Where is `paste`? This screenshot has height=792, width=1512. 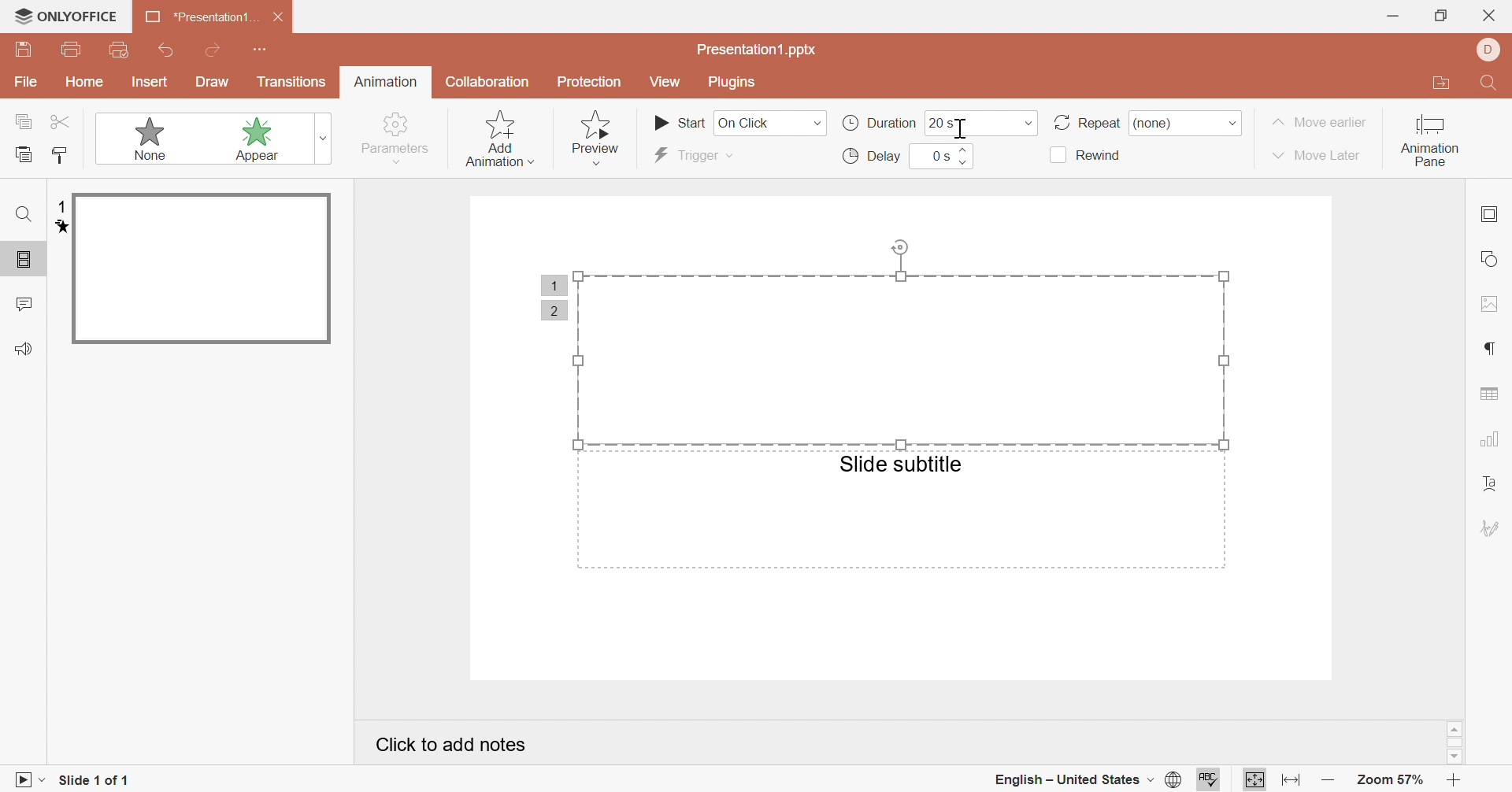 paste is located at coordinates (24, 153).